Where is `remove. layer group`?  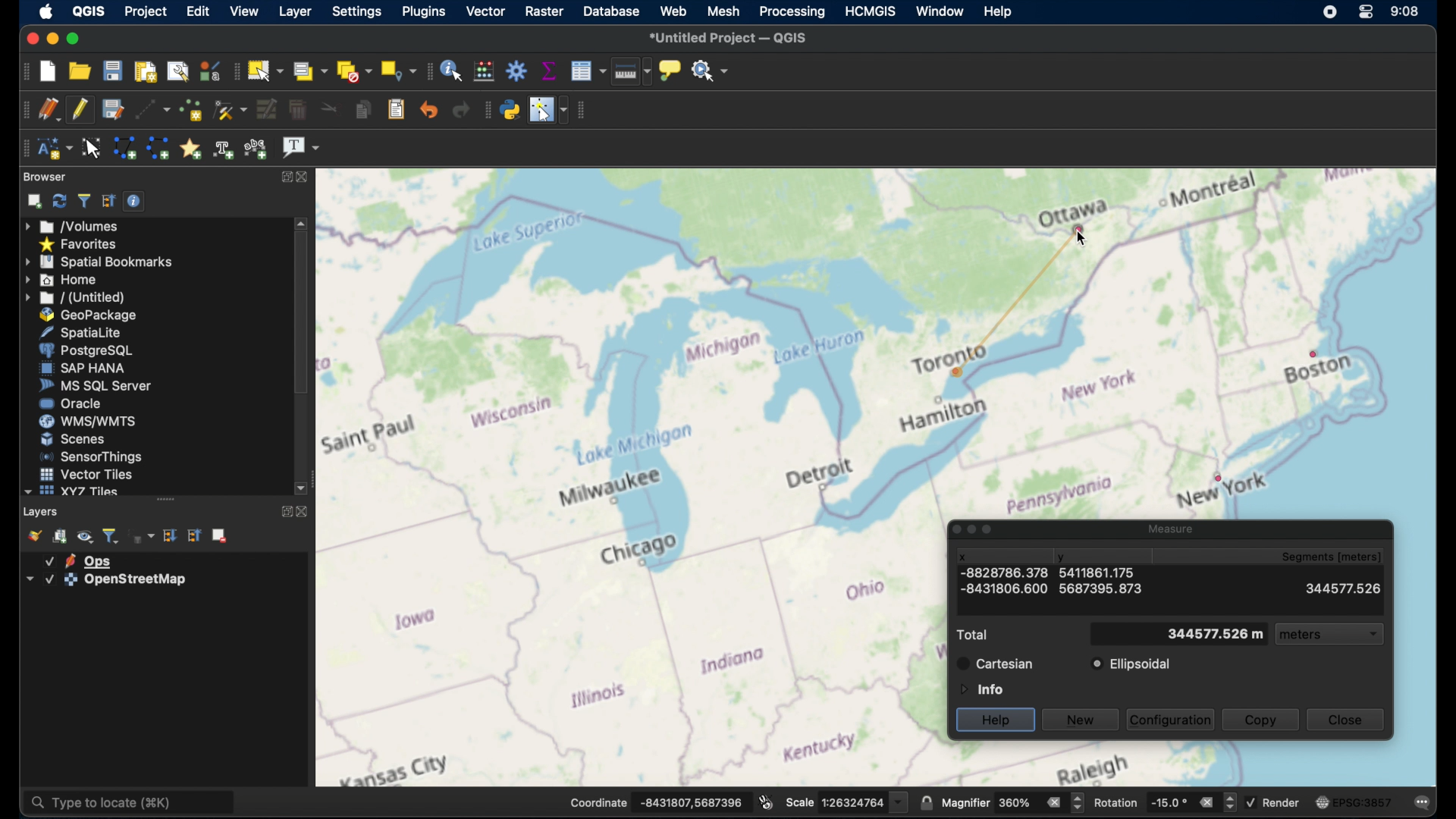
remove. layer group is located at coordinates (221, 537).